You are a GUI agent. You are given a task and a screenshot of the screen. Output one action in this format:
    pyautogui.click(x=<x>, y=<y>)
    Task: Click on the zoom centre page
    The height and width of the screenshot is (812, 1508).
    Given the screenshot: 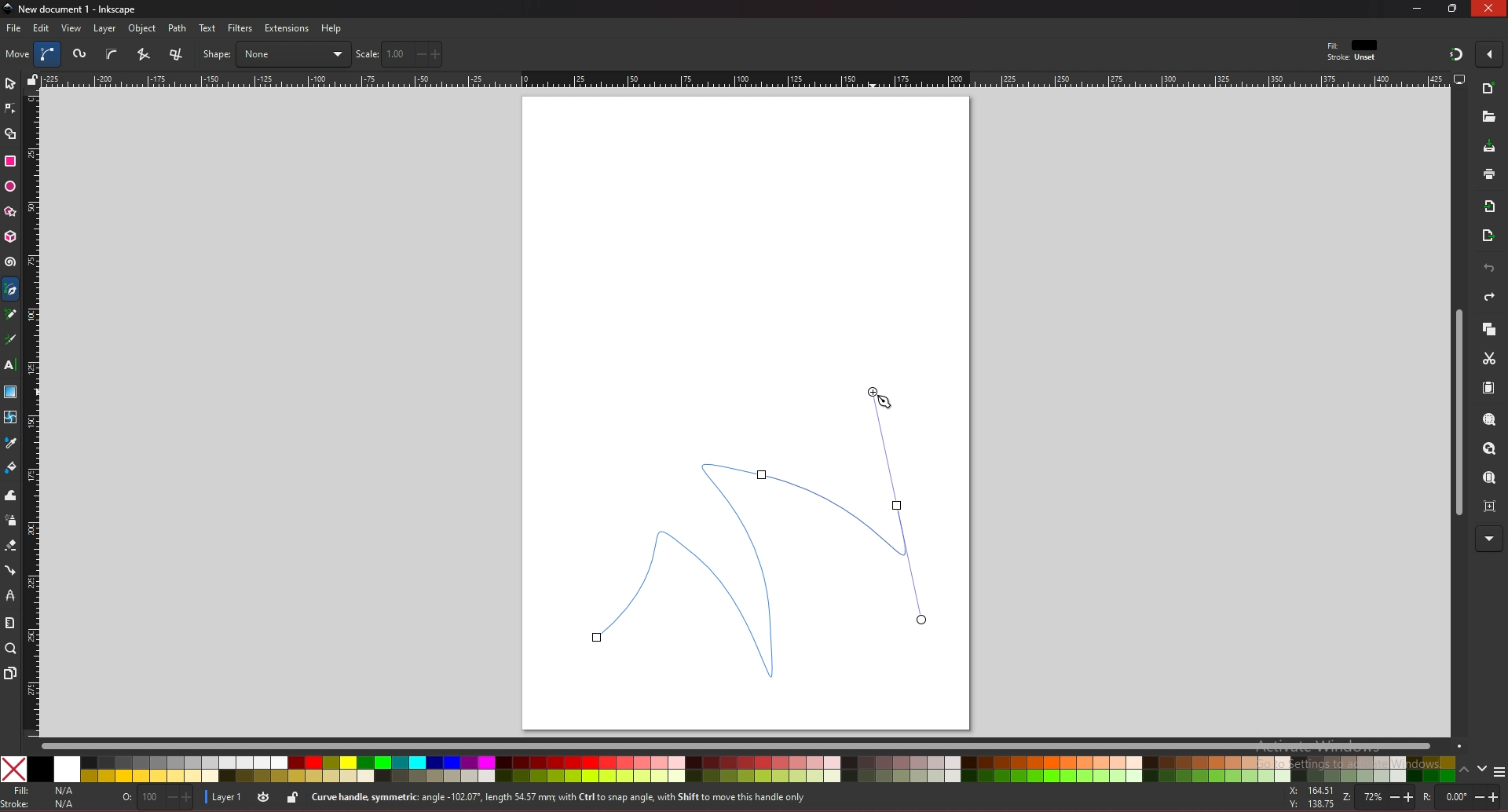 What is the action you would take?
    pyautogui.click(x=1492, y=505)
    